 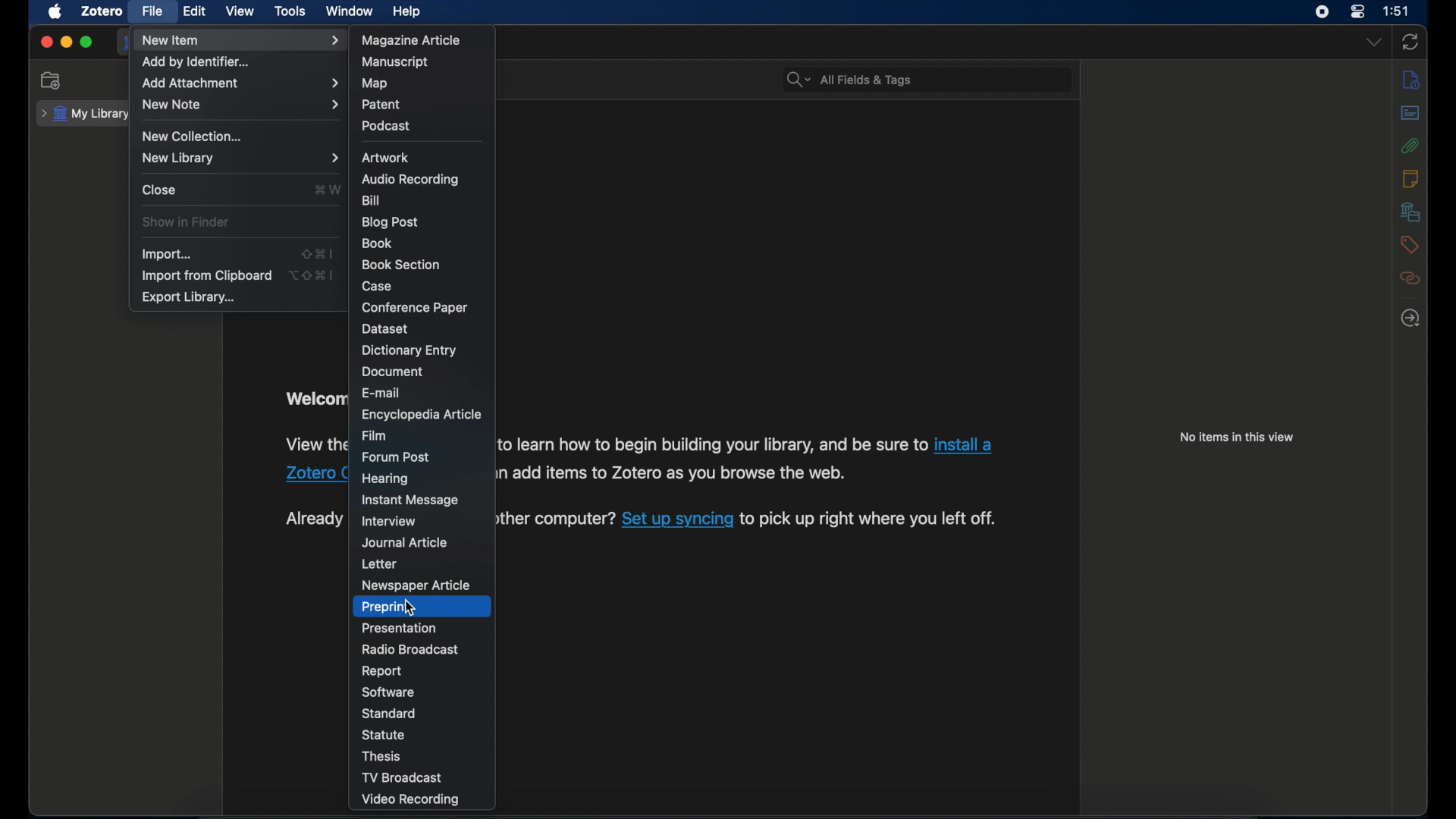 What do you see at coordinates (556, 519) in the screenshot?
I see `other computer?` at bounding box center [556, 519].